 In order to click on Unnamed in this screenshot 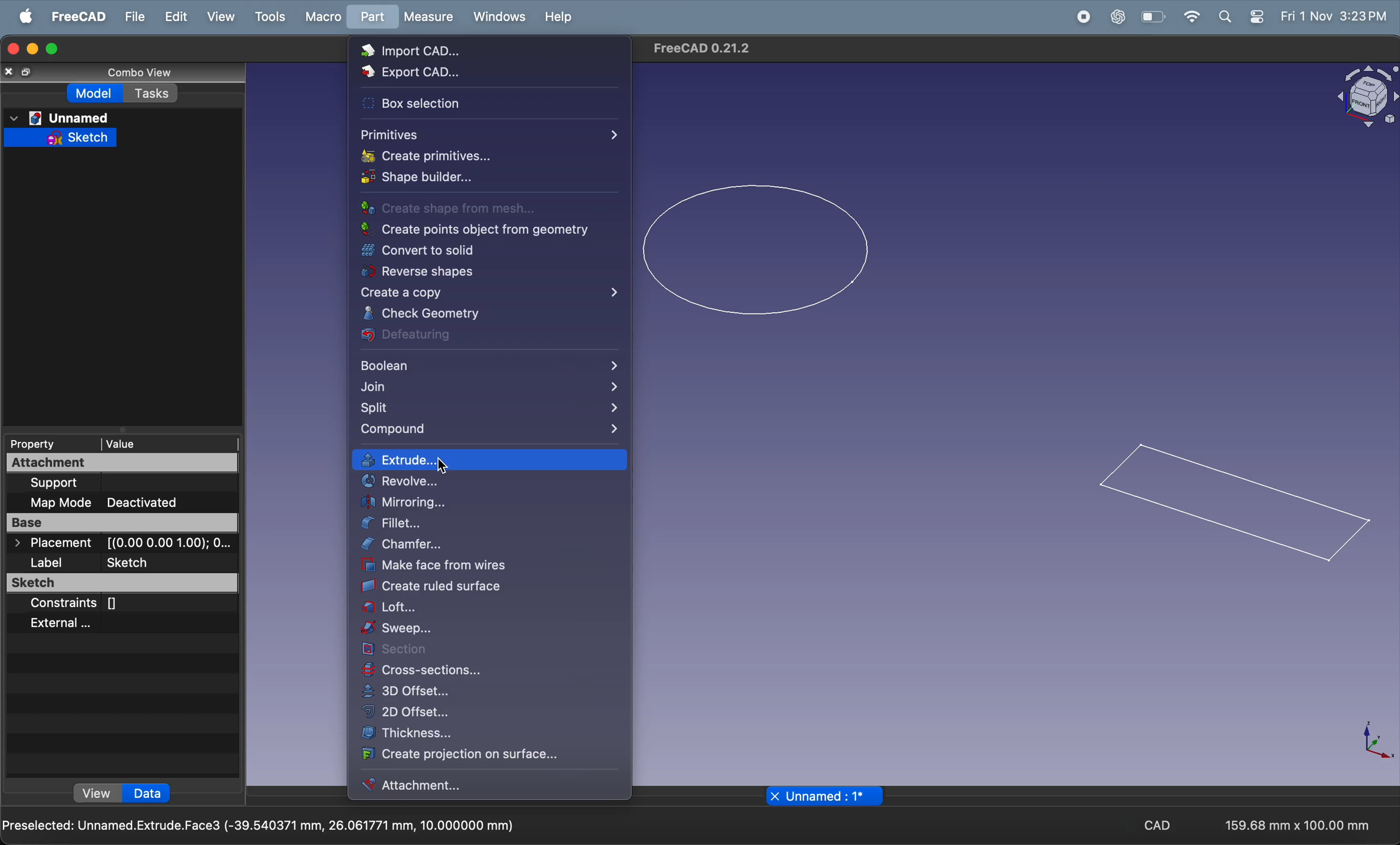, I will do `click(60, 117)`.